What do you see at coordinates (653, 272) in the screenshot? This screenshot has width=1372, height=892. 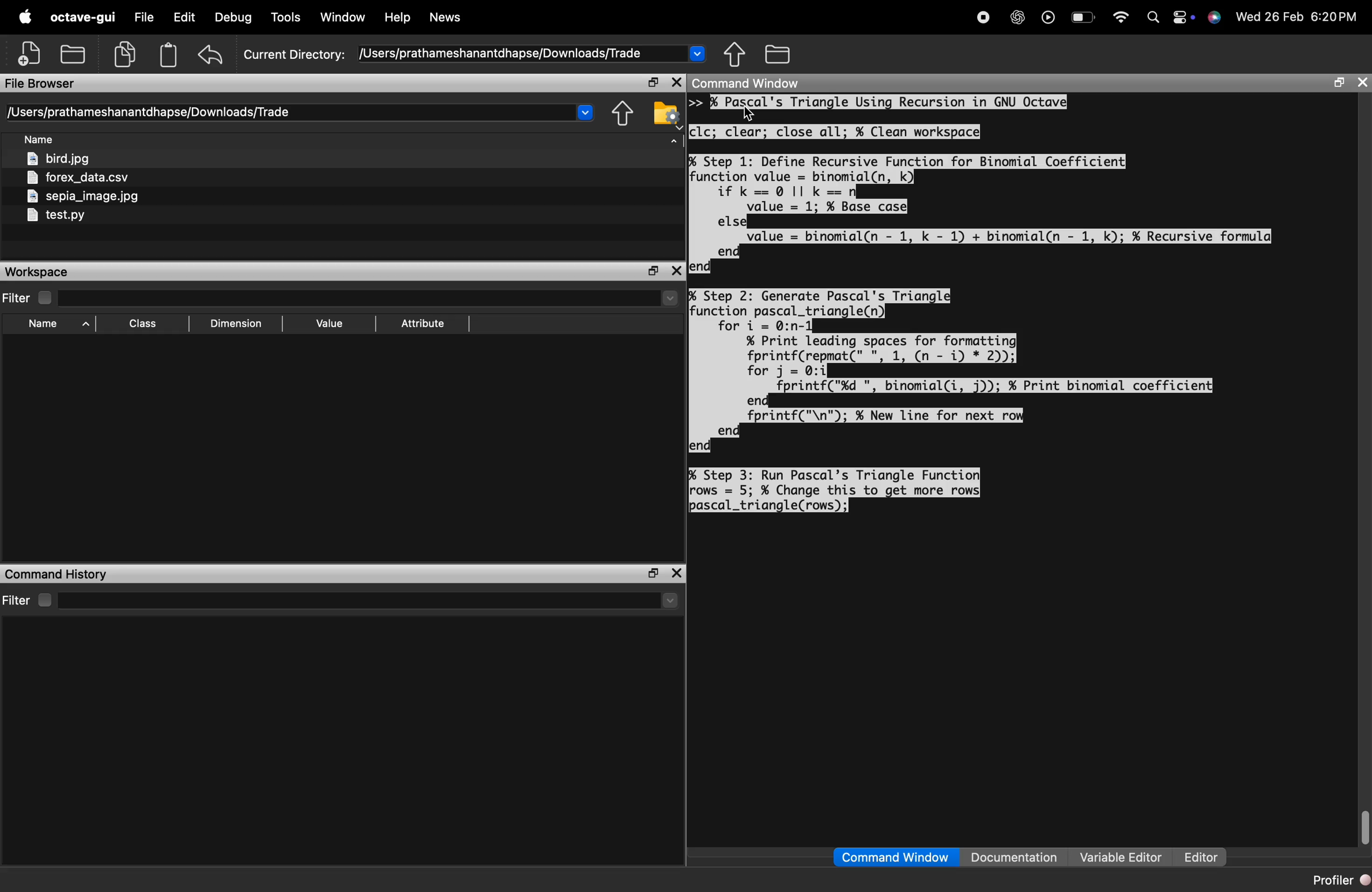 I see `maximize` at bounding box center [653, 272].